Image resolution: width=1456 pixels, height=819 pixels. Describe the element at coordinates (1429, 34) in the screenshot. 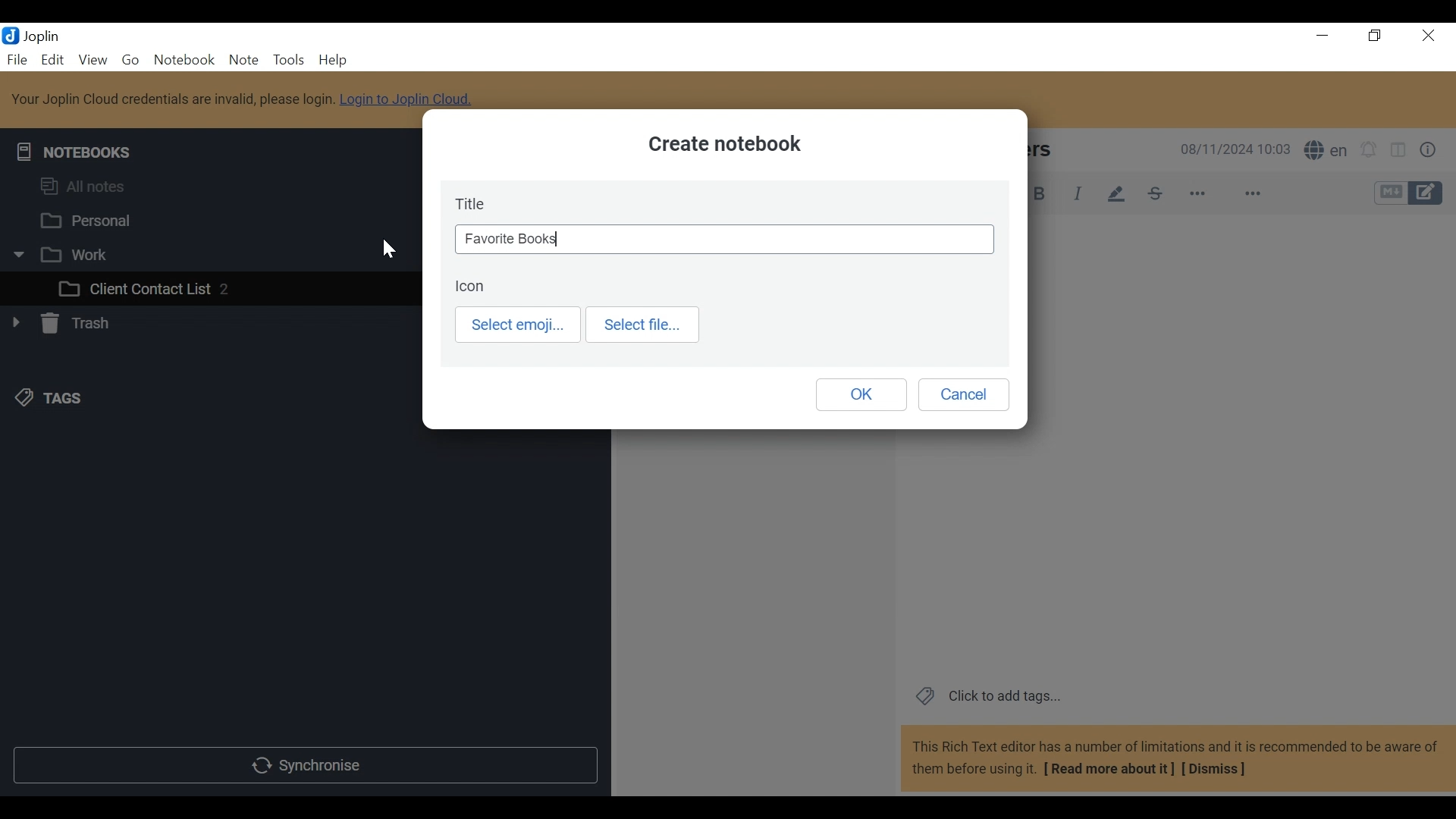

I see `Close` at that location.